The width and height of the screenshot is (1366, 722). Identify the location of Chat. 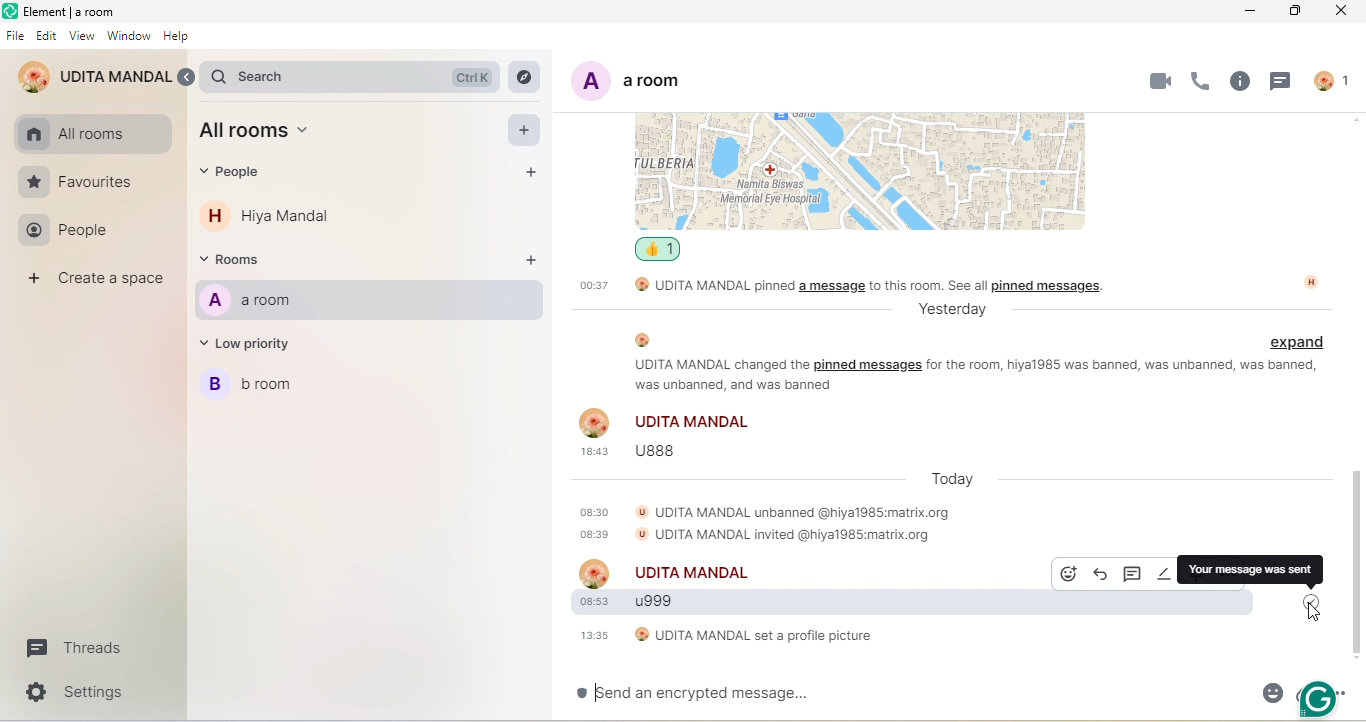
(1287, 82).